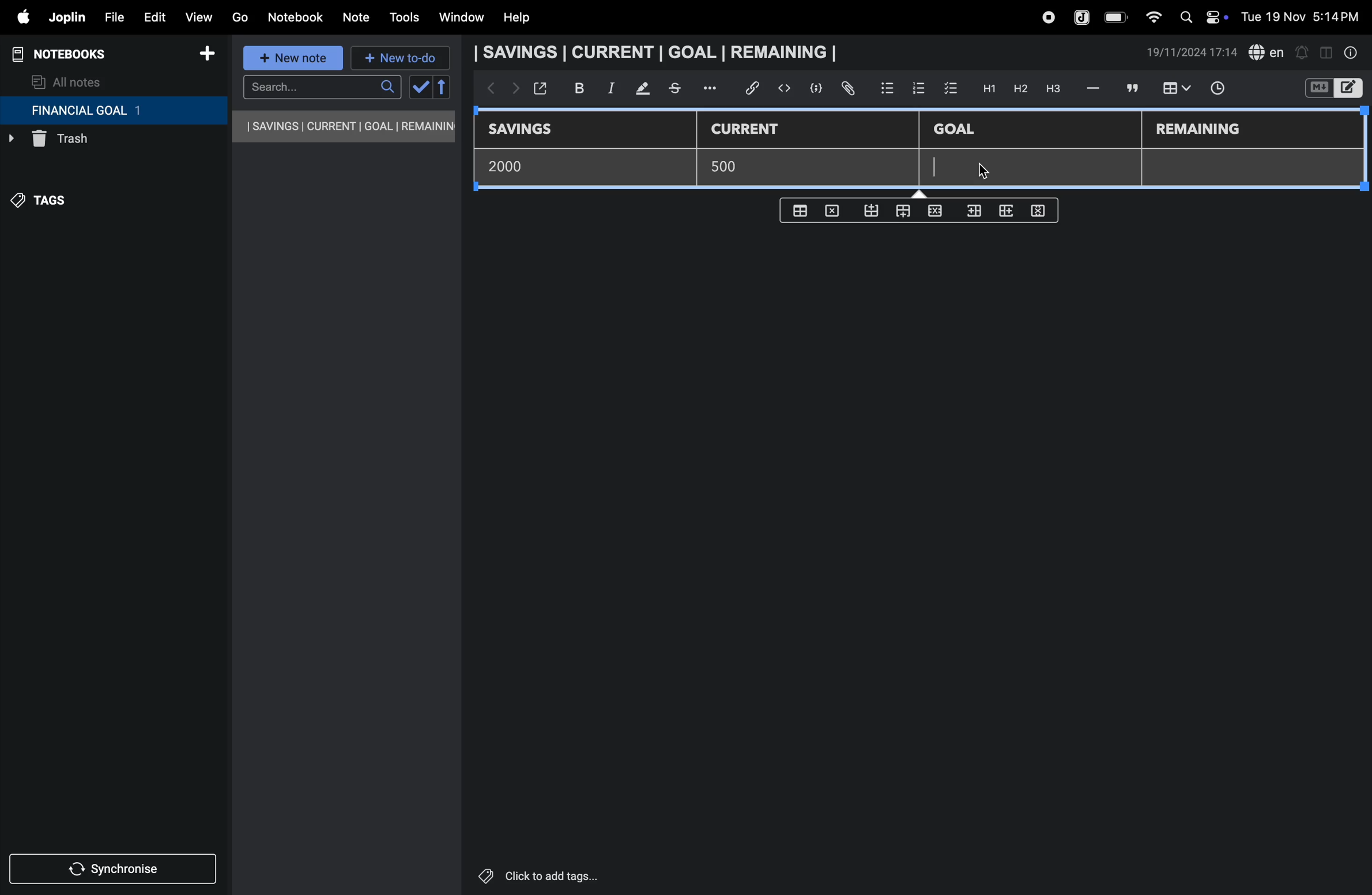 This screenshot has width=1372, height=895. I want to click on info, so click(1352, 52).